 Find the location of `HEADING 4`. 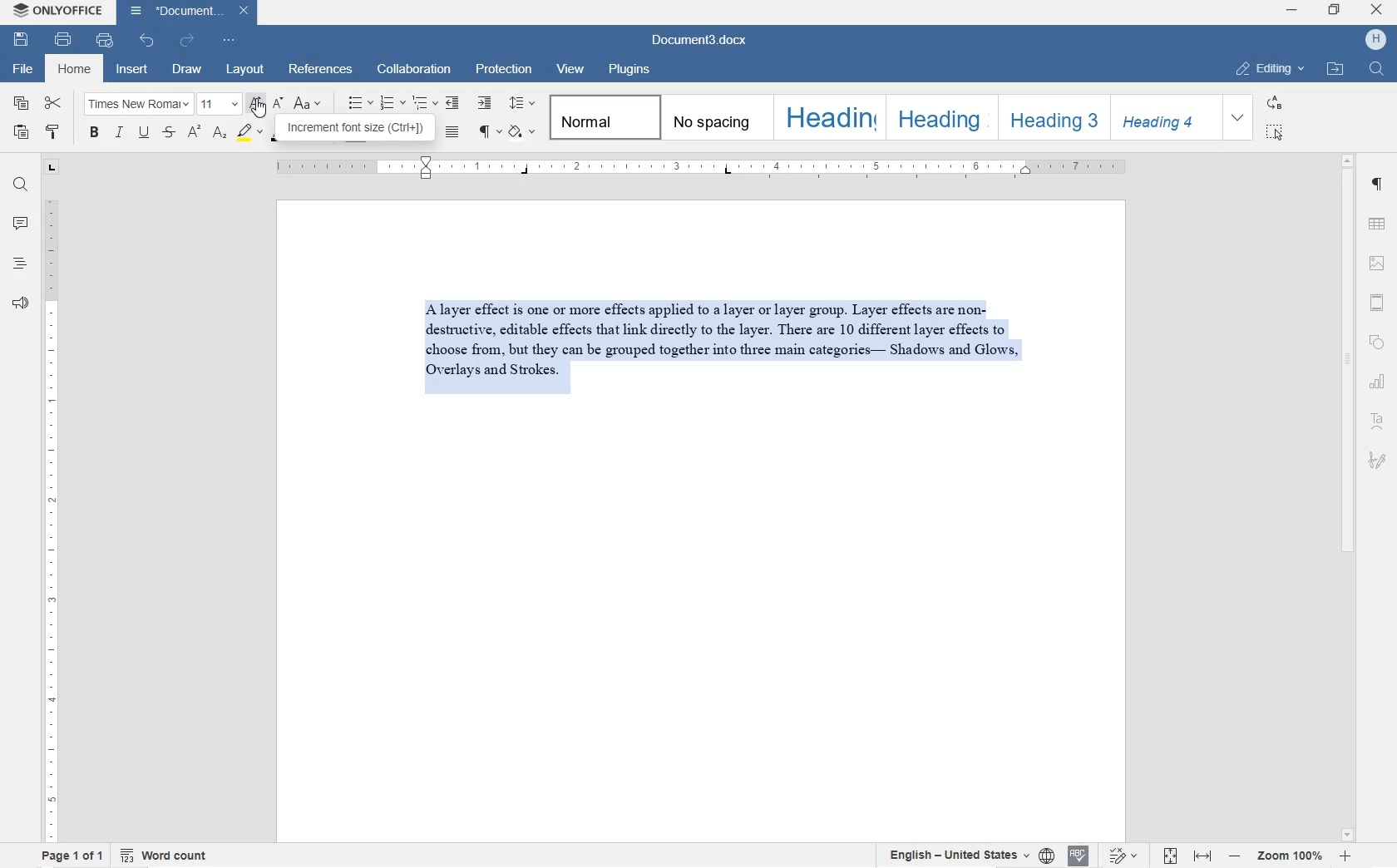

HEADING 4 is located at coordinates (1164, 117).